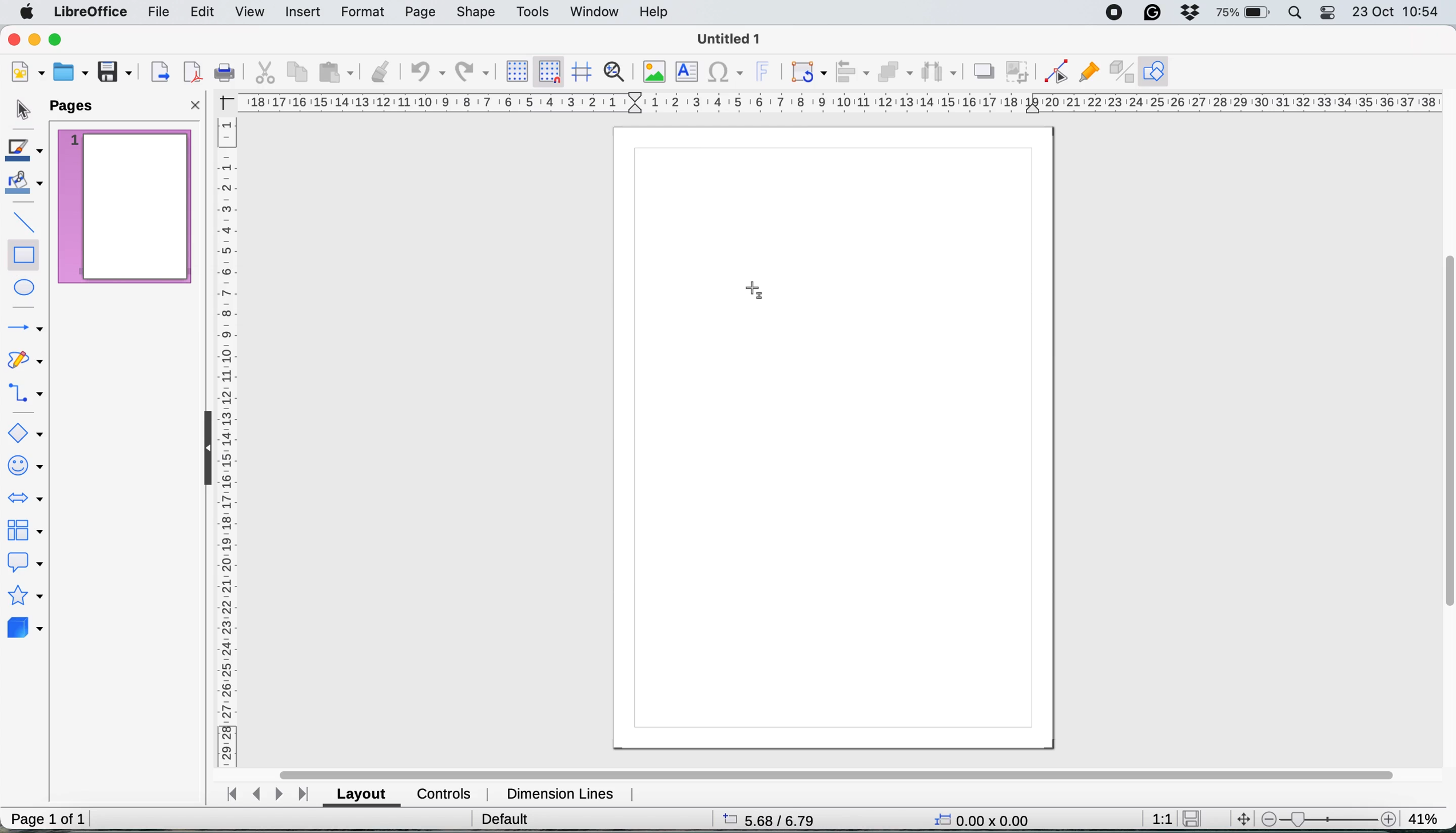 The image size is (1456, 833). Describe the element at coordinates (757, 293) in the screenshot. I see `cursor` at that location.